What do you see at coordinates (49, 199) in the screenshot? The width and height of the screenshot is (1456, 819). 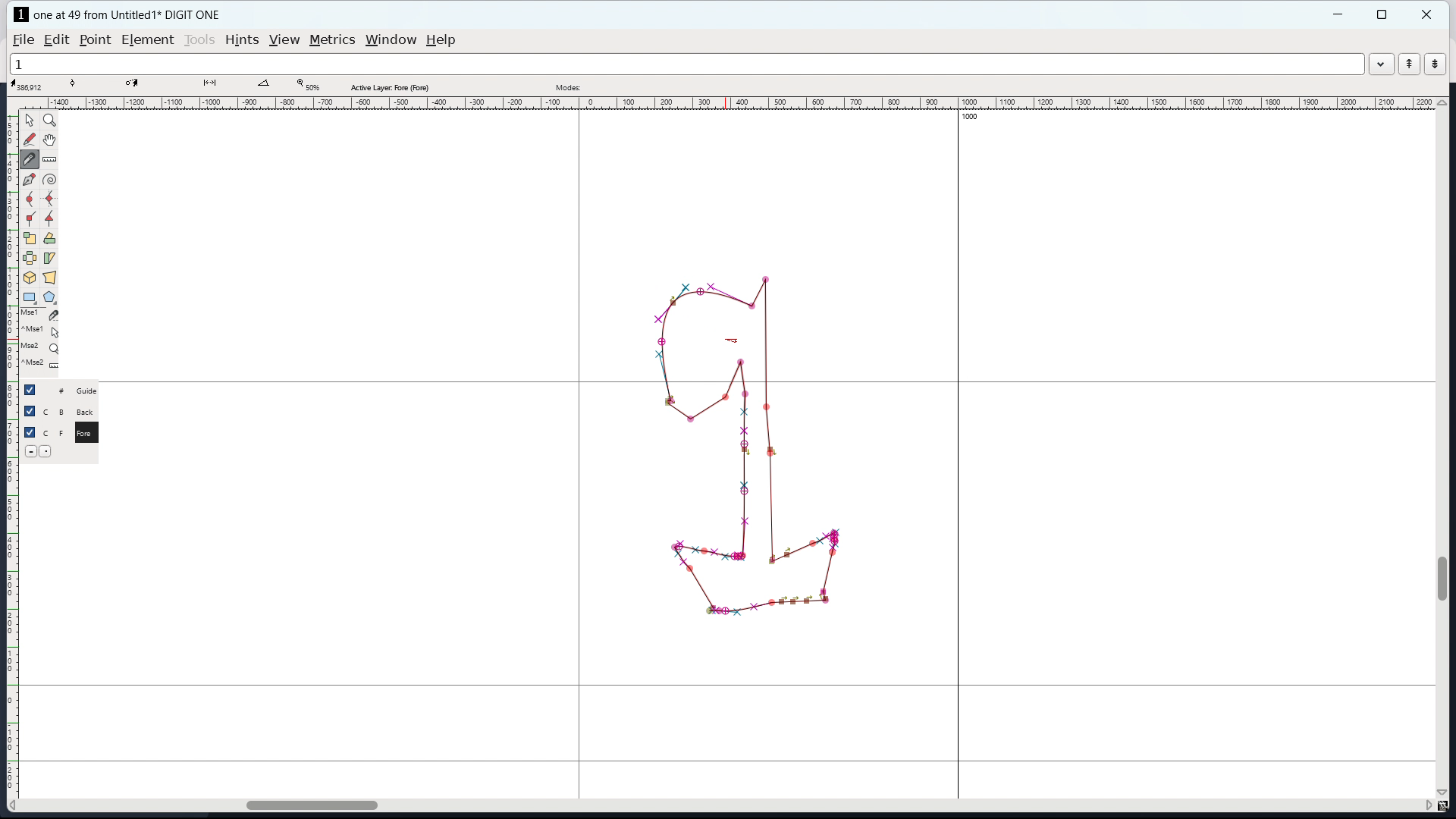 I see `add a curve point always either horizontal or vertical` at bounding box center [49, 199].